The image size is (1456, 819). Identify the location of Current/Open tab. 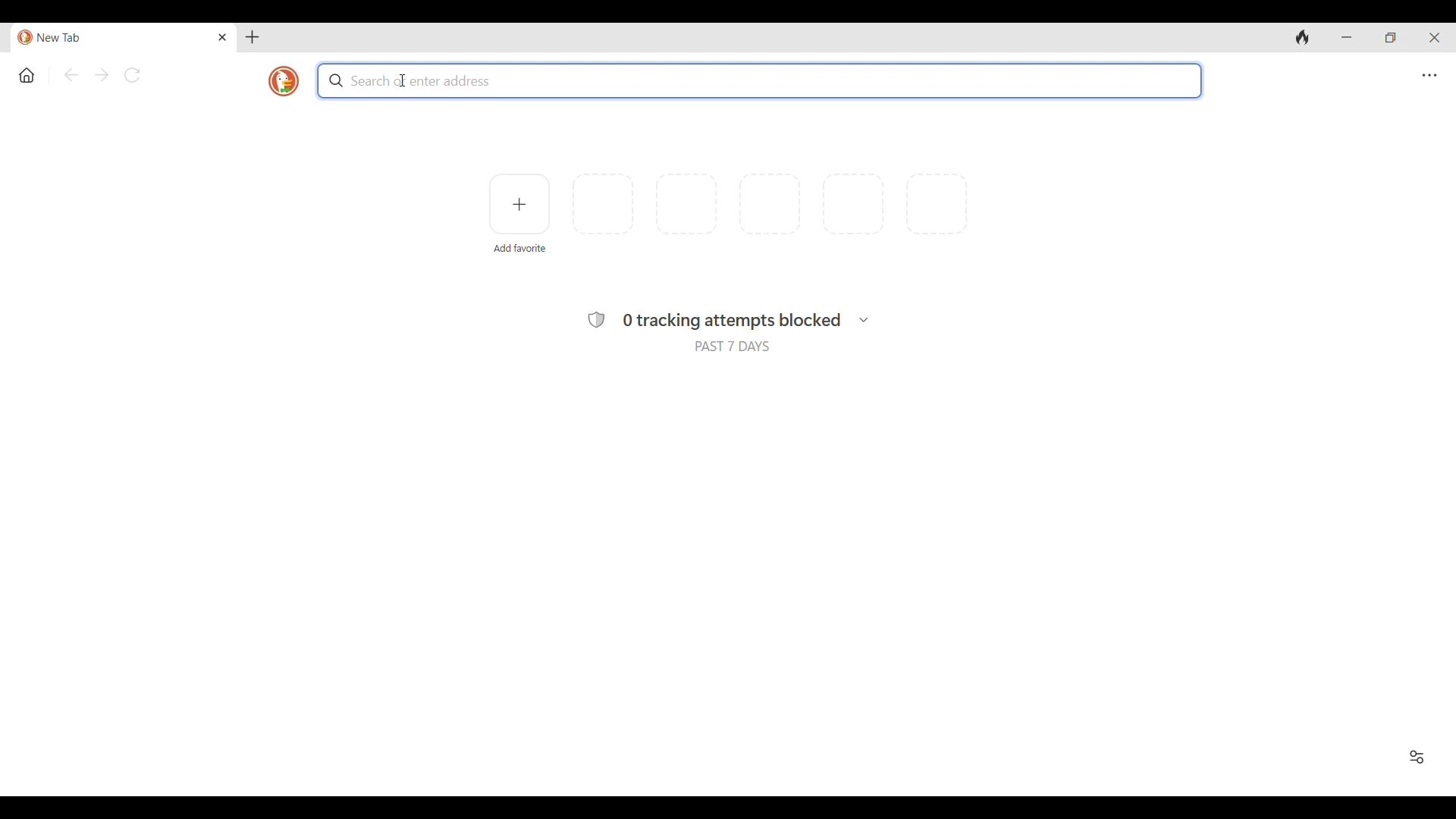
(112, 38).